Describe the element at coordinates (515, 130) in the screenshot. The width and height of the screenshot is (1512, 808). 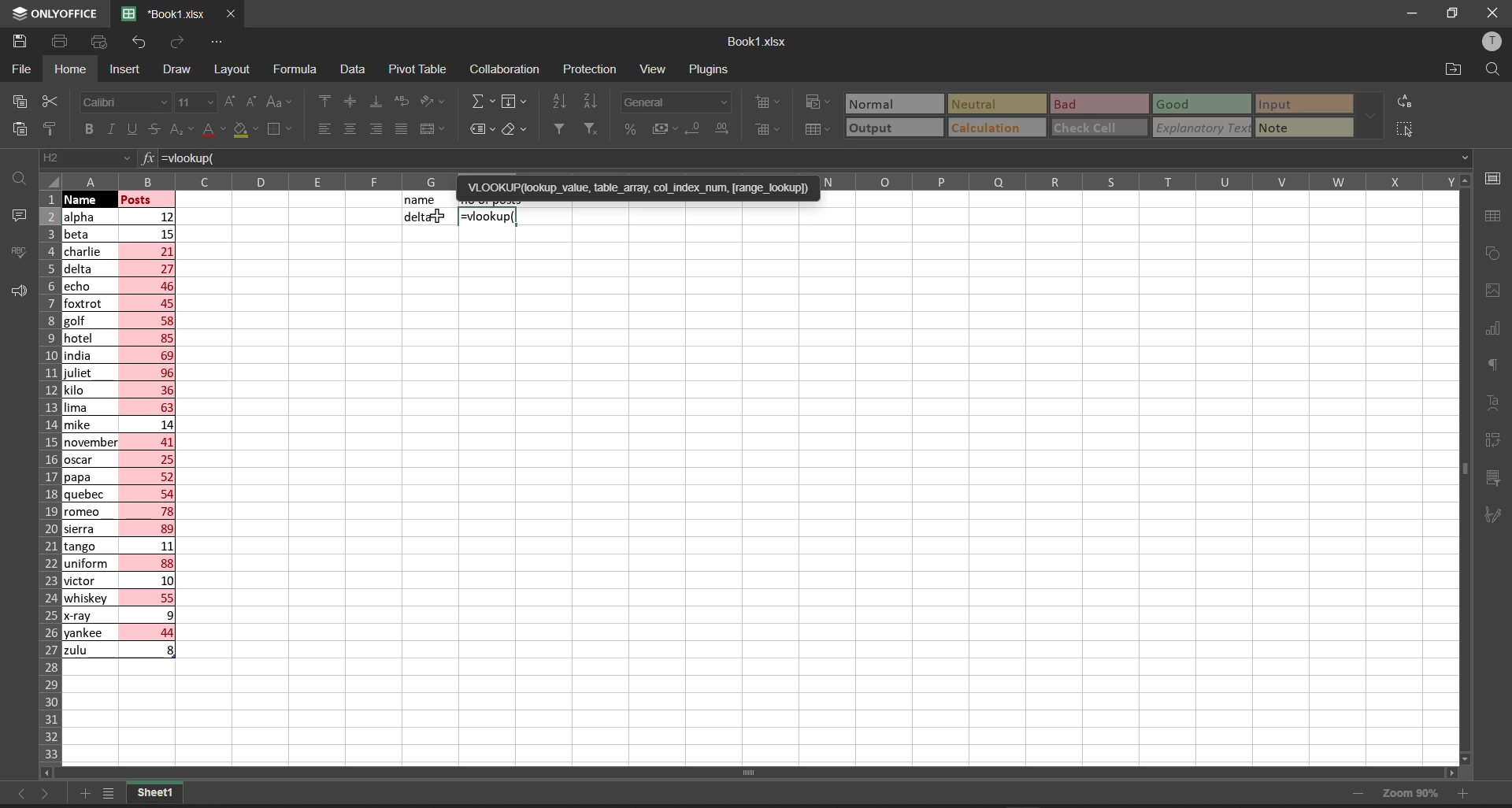
I see `clear` at that location.